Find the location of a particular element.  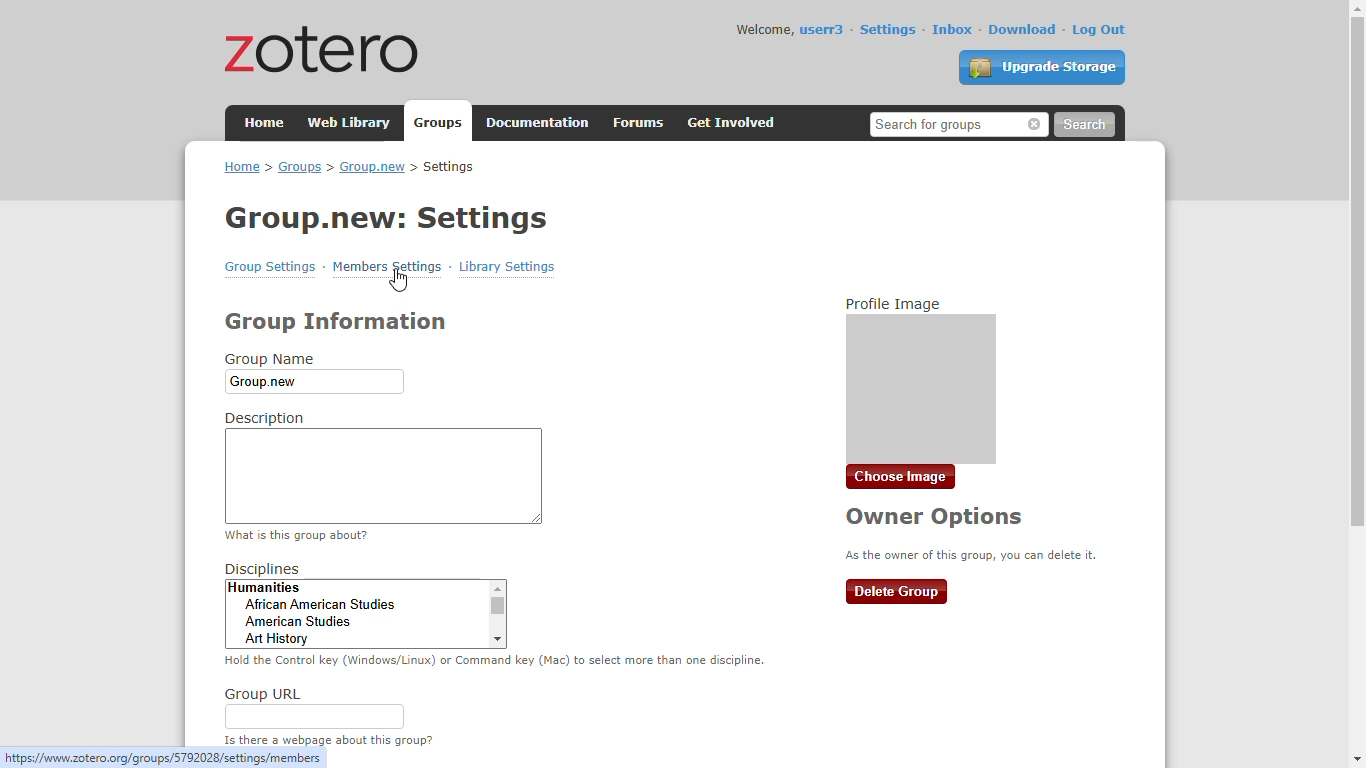

choose image is located at coordinates (902, 477).